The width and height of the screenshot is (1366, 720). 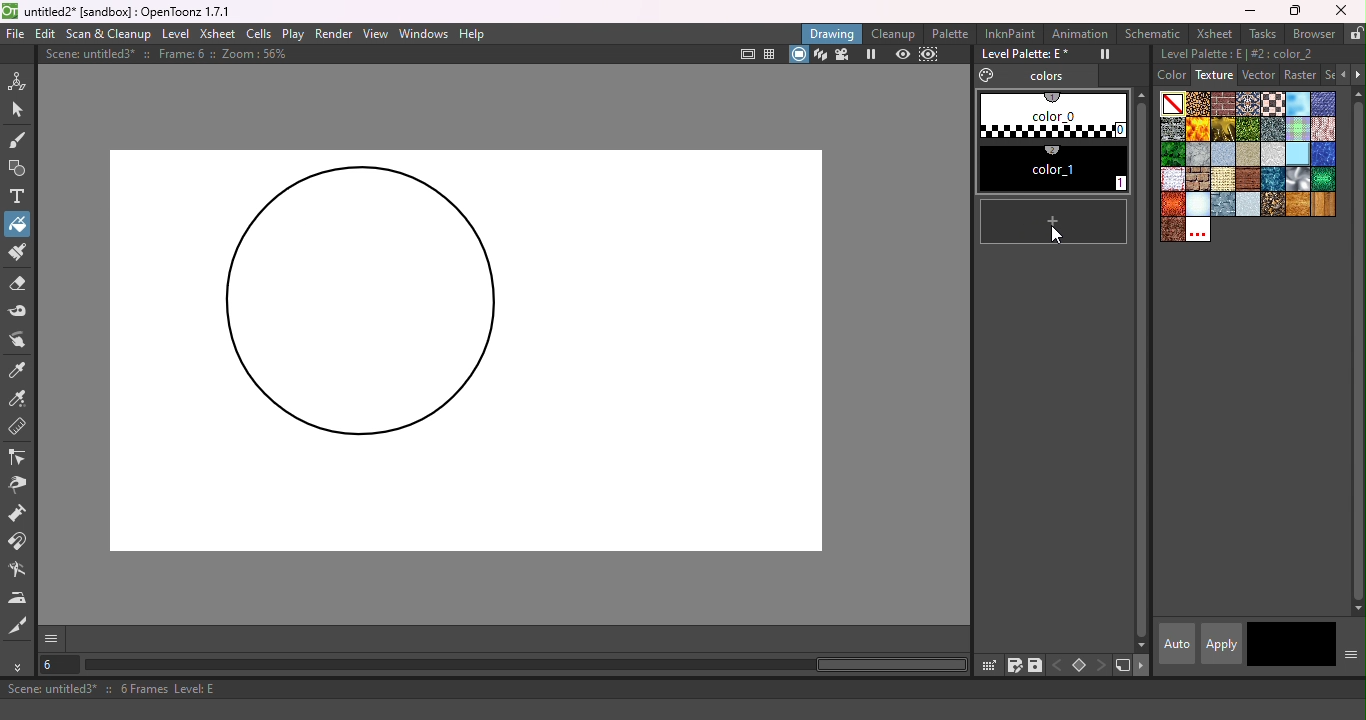 What do you see at coordinates (1172, 154) in the screenshot?
I see `leaves.bmp` at bounding box center [1172, 154].